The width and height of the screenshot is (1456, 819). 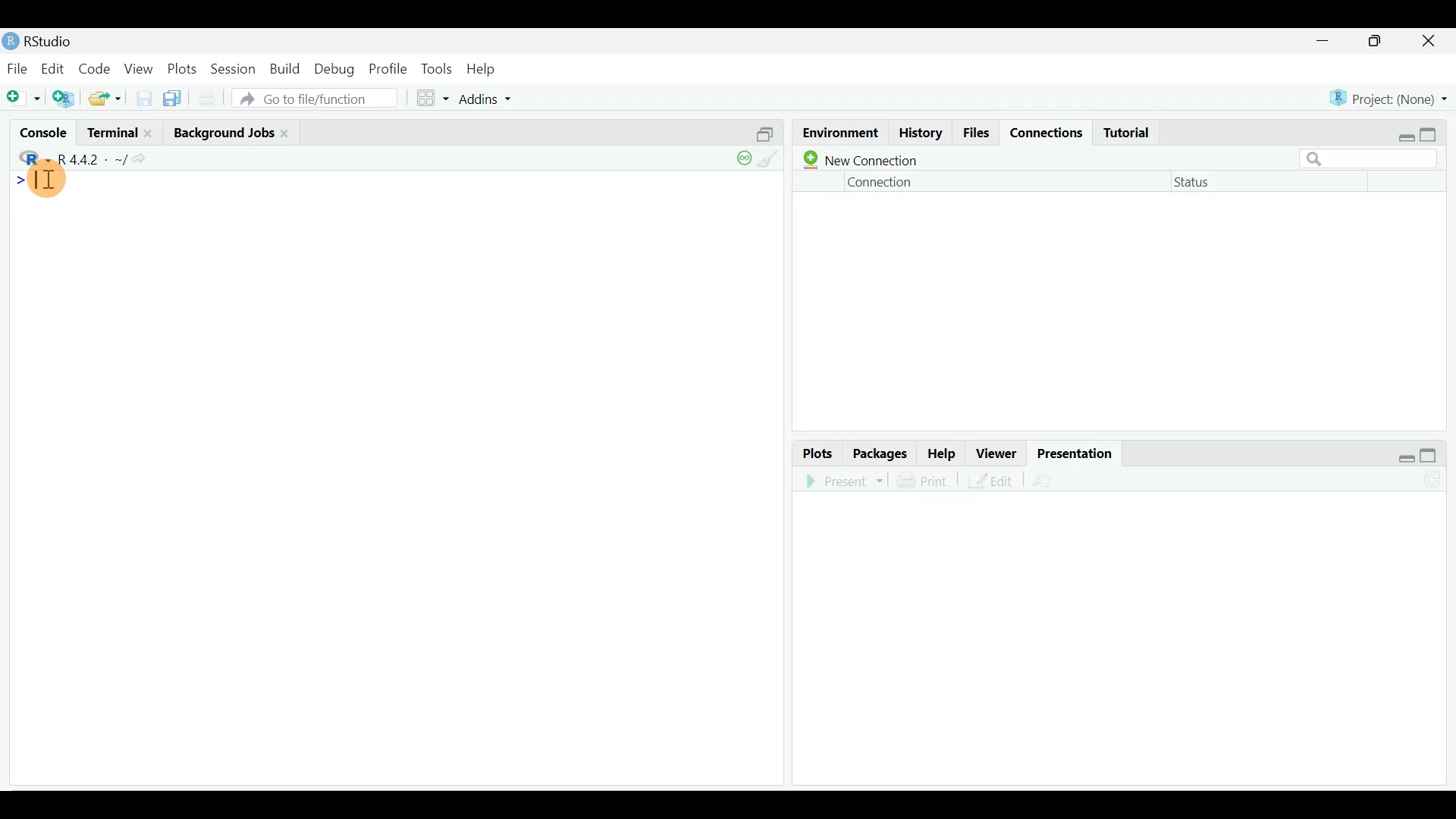 I want to click on New file, so click(x=24, y=97).